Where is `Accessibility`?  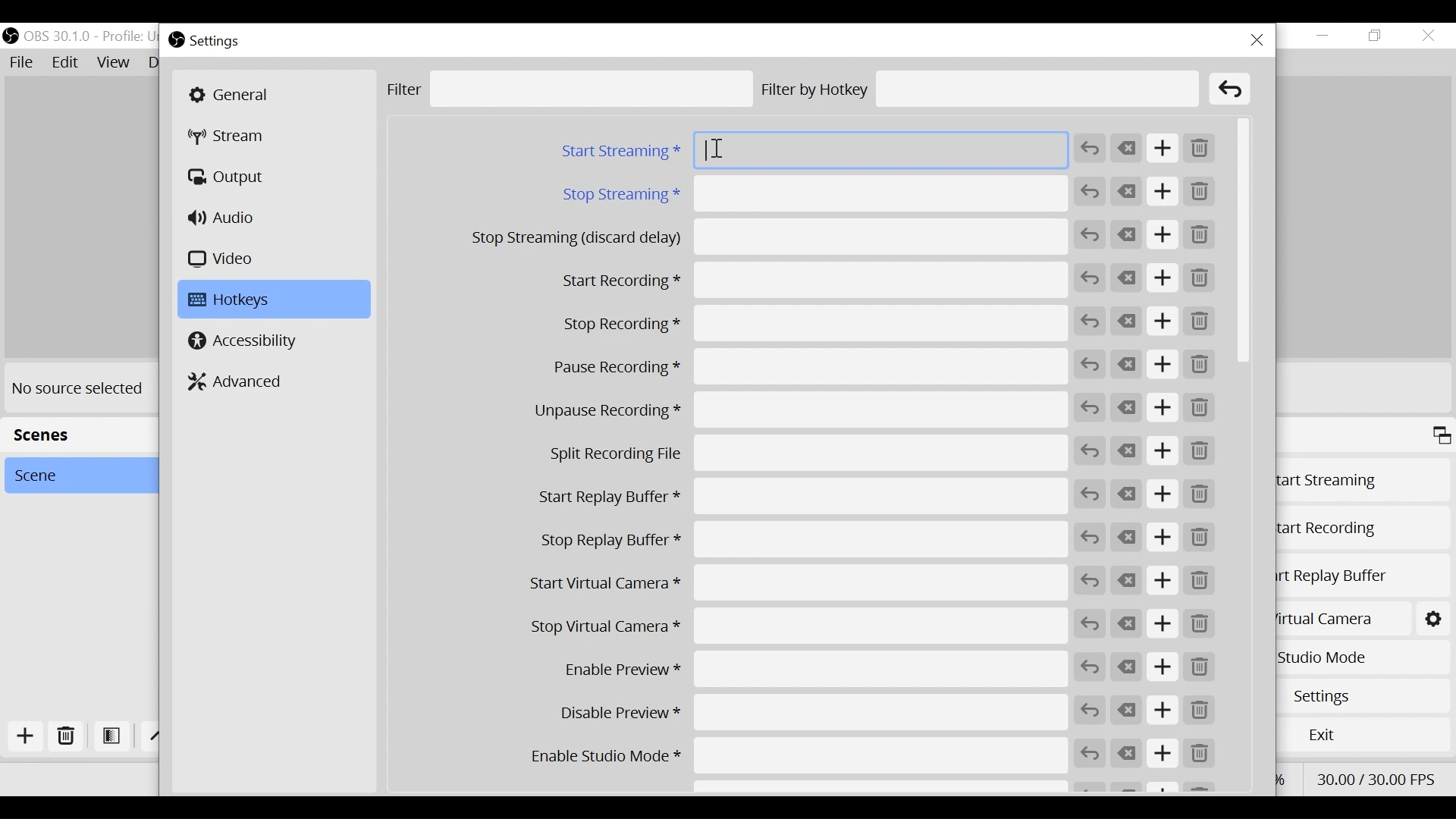
Accessibility is located at coordinates (244, 341).